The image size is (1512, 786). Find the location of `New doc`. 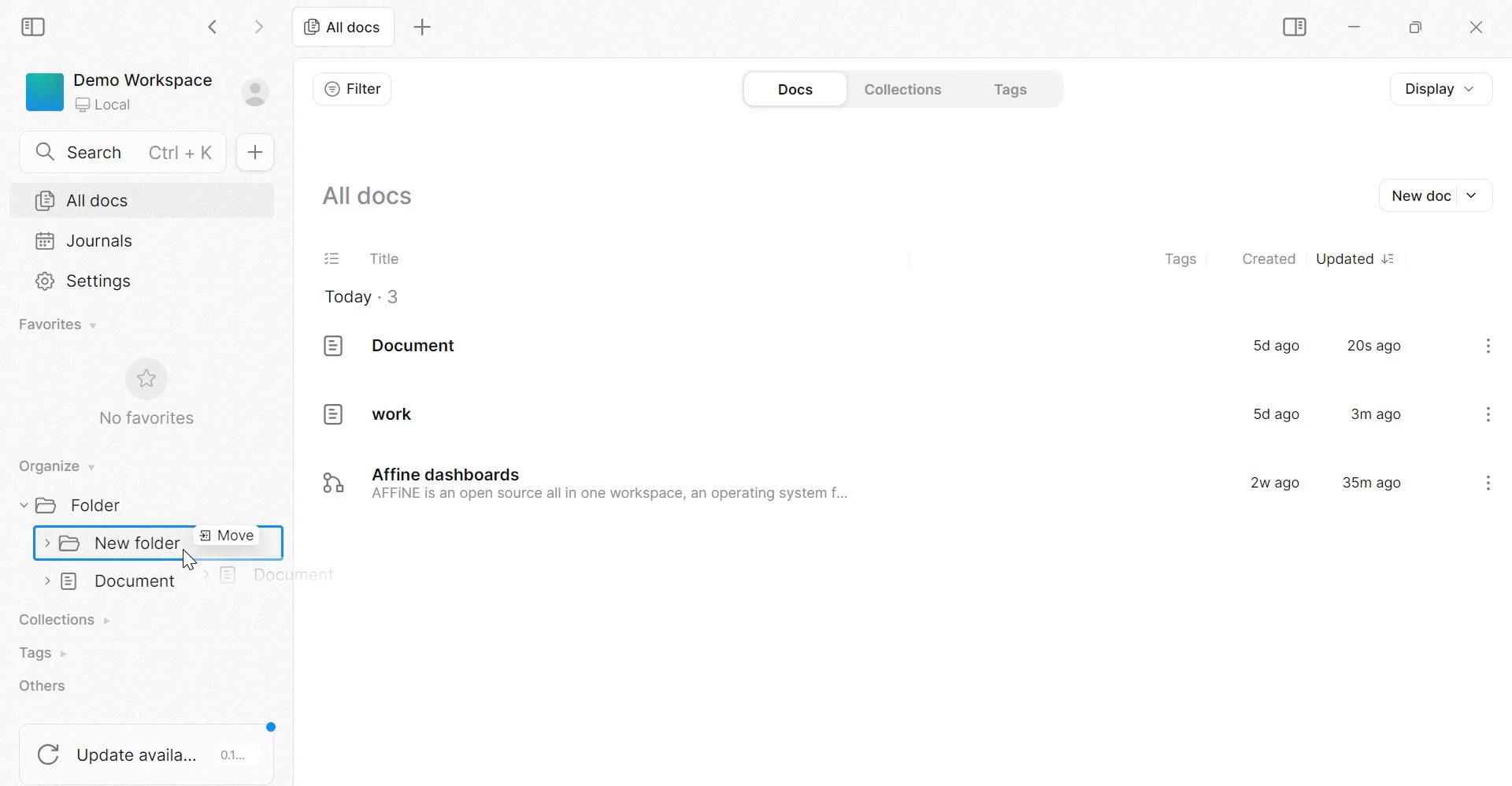

New doc is located at coordinates (252, 151).